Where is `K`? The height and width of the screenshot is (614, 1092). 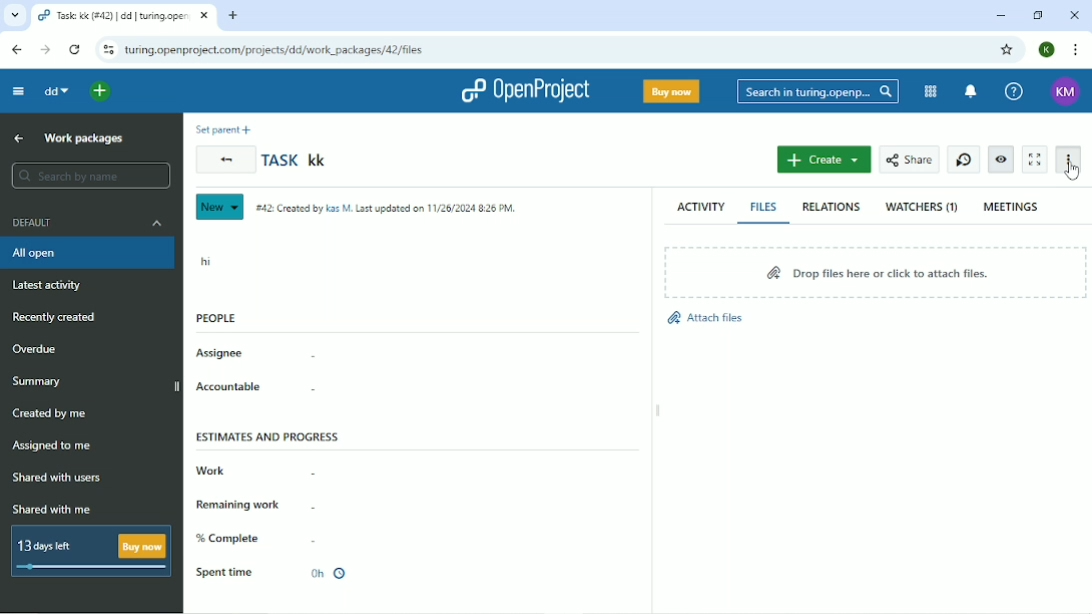 K is located at coordinates (1046, 50).